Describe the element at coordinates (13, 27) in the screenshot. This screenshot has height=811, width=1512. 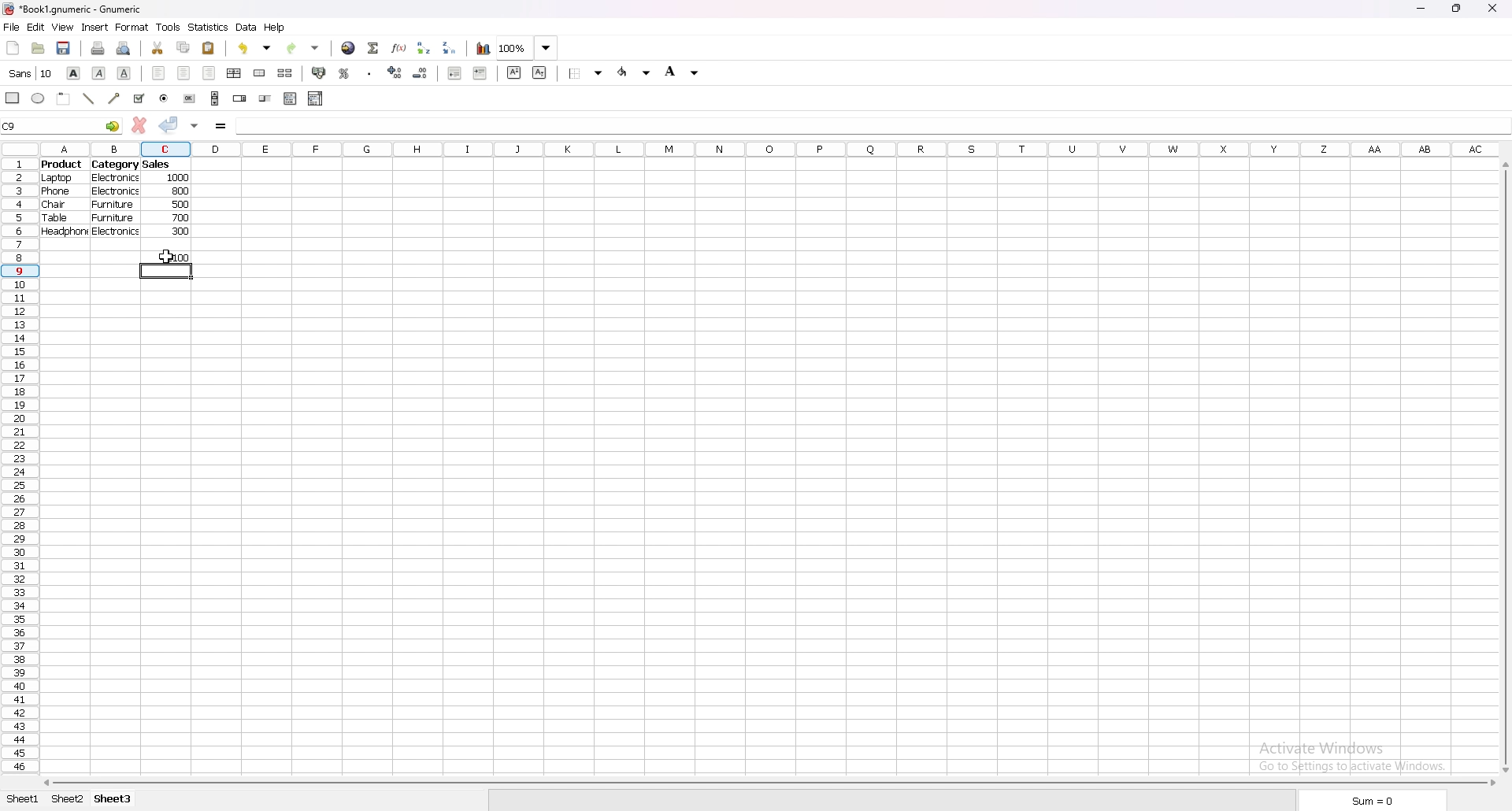
I see `file` at that location.